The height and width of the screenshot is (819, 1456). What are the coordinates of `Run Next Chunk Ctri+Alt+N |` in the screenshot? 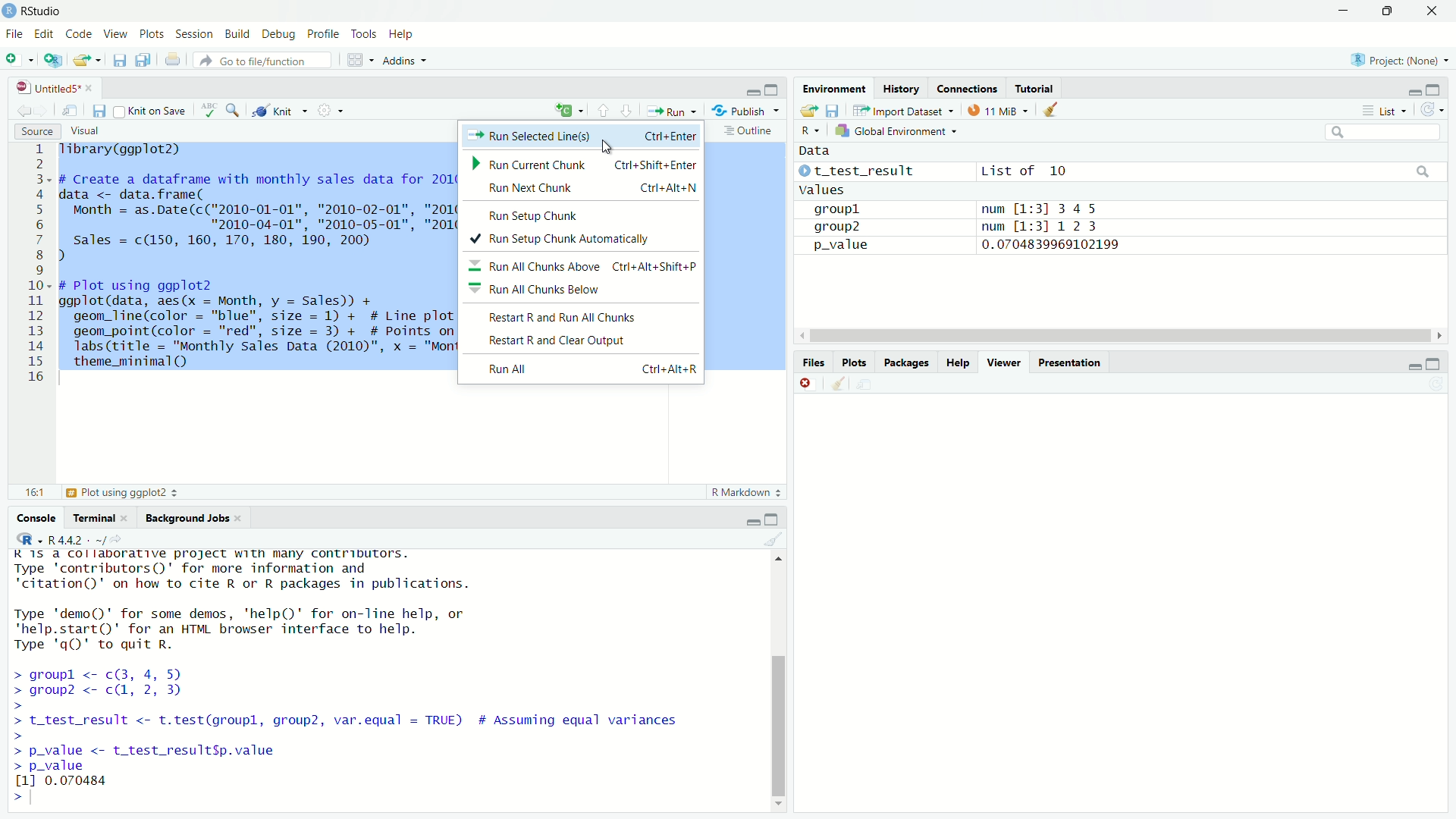 It's located at (590, 188).